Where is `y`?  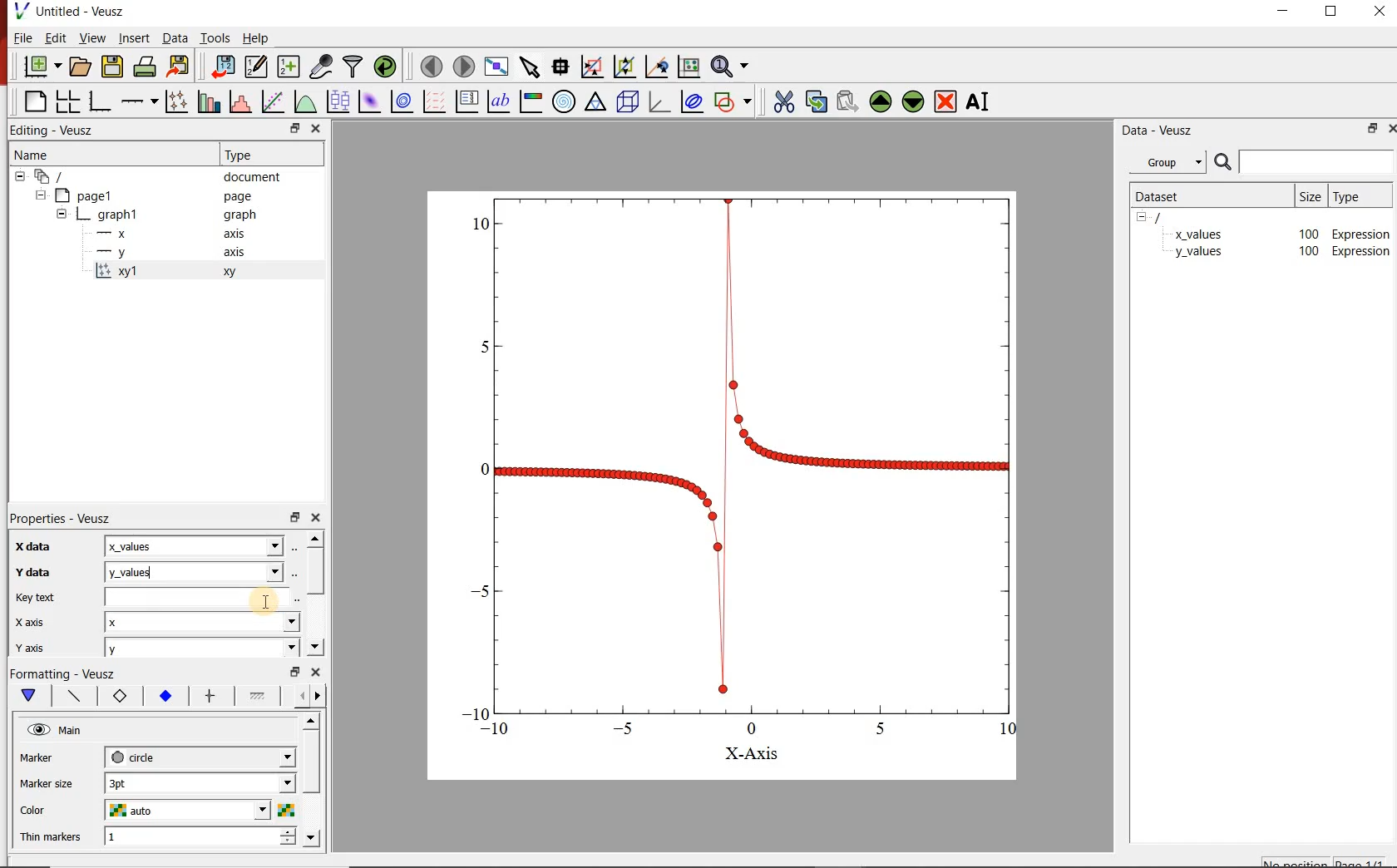
y is located at coordinates (195, 572).